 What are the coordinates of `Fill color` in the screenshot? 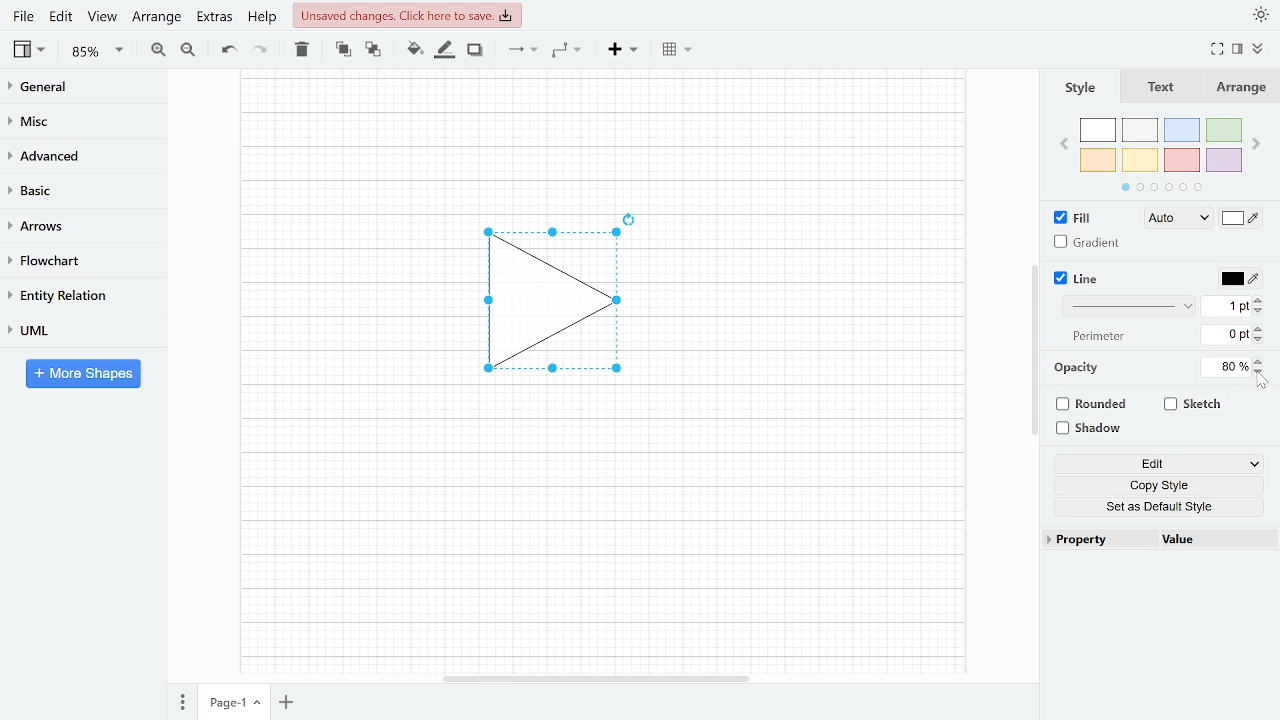 It's located at (1242, 220).